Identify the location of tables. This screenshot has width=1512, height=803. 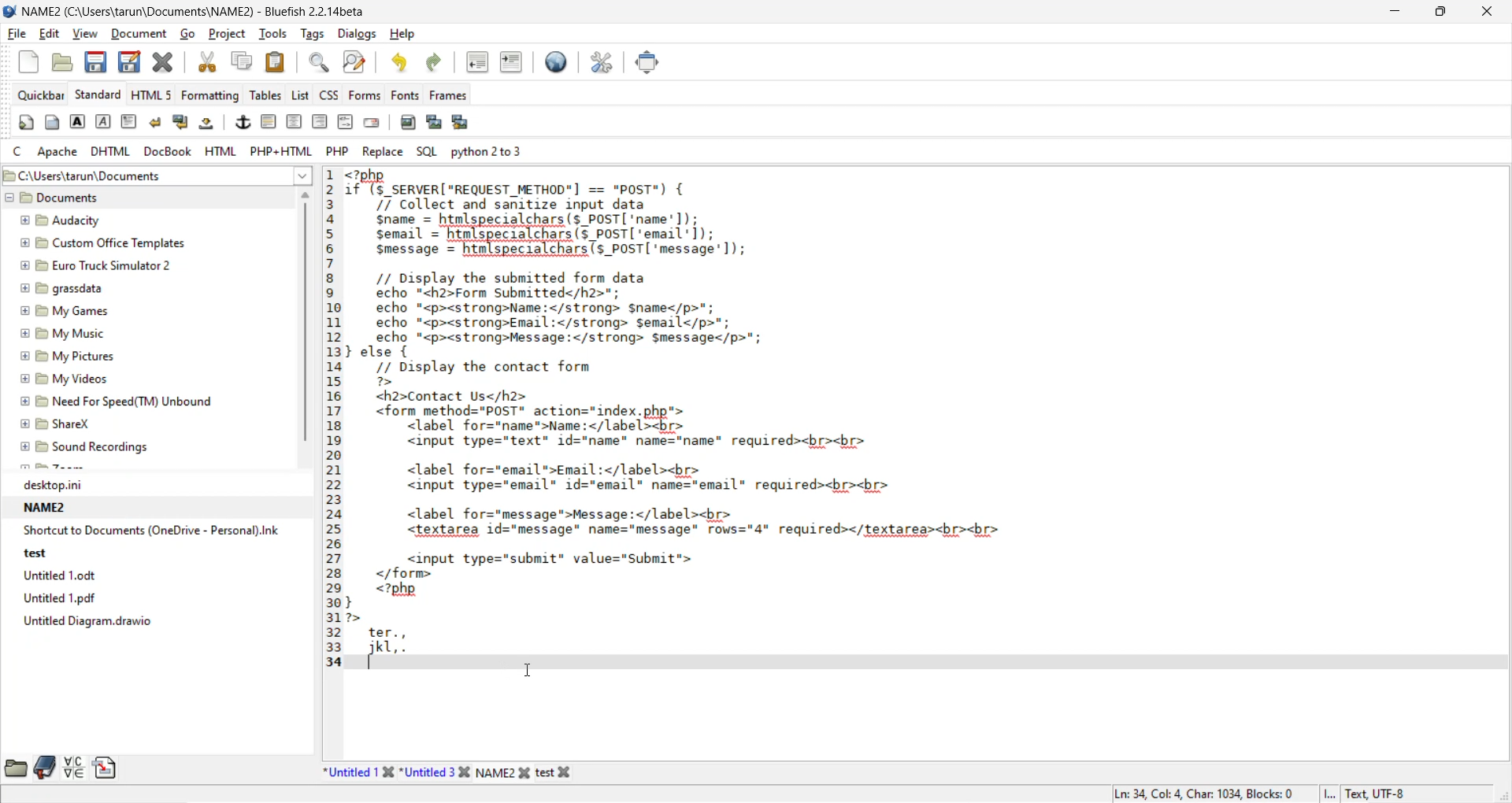
(265, 95).